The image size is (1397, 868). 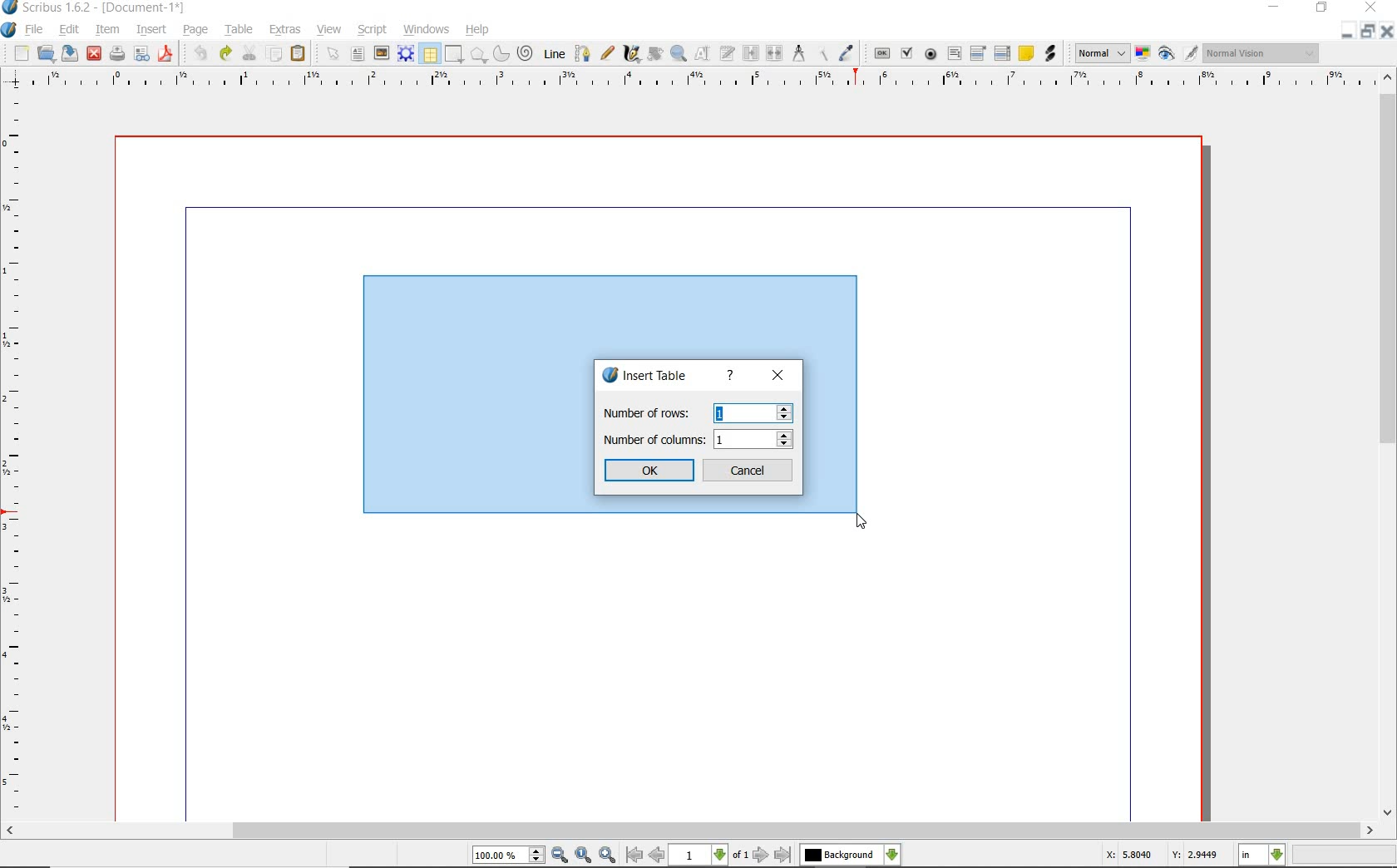 I want to click on pdf text field, so click(x=955, y=53).